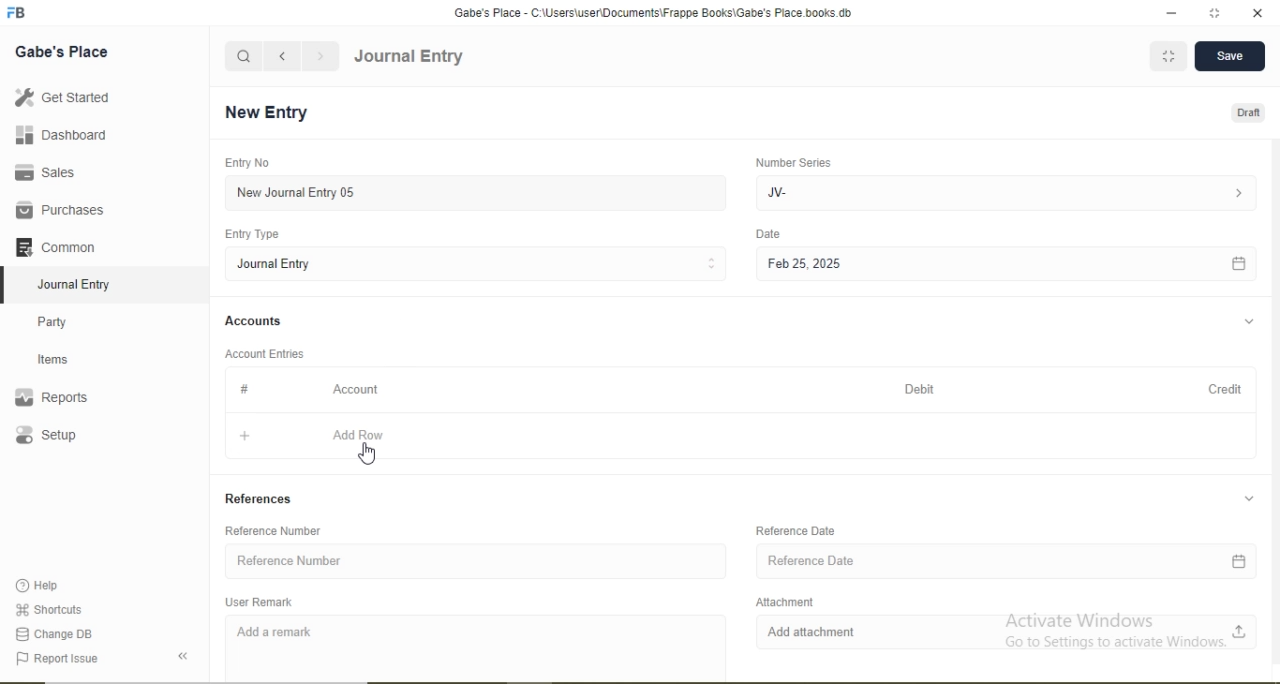  What do you see at coordinates (75, 437) in the screenshot?
I see `Setup` at bounding box center [75, 437].